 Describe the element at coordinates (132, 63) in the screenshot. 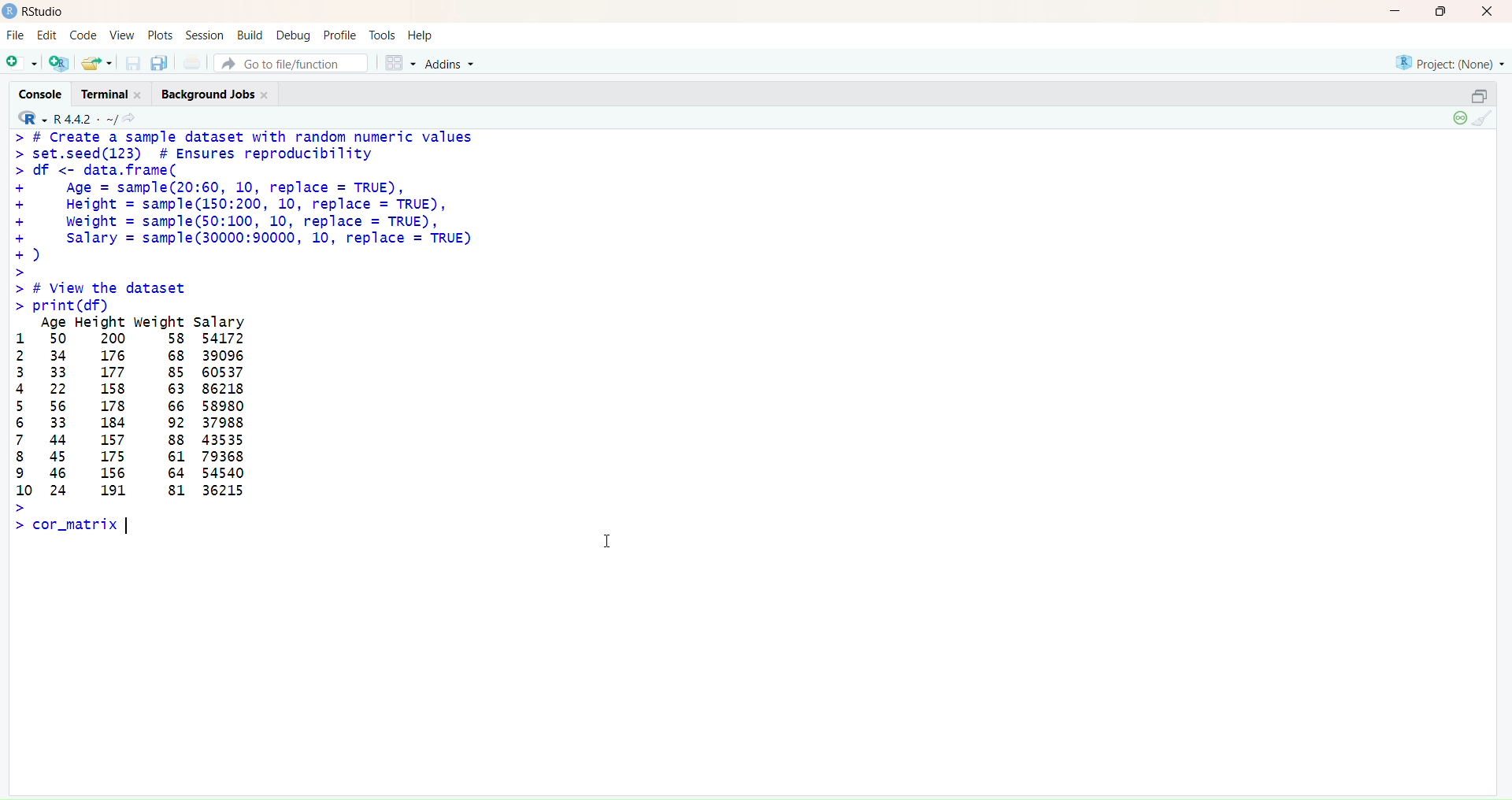

I see `Save current document (Ctrl + S)` at that location.